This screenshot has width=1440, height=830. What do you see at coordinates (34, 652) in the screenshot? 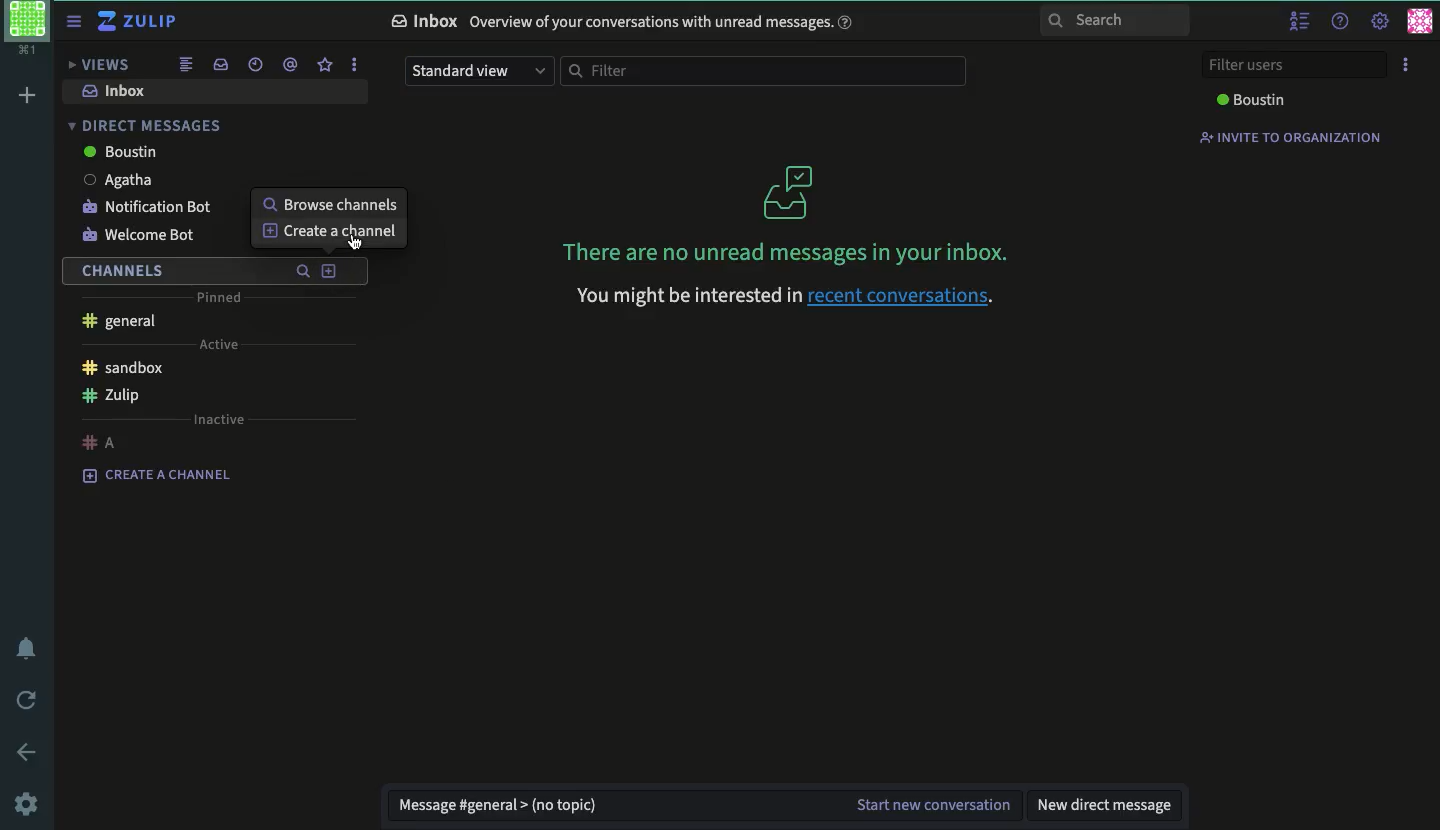
I see `notification` at bounding box center [34, 652].